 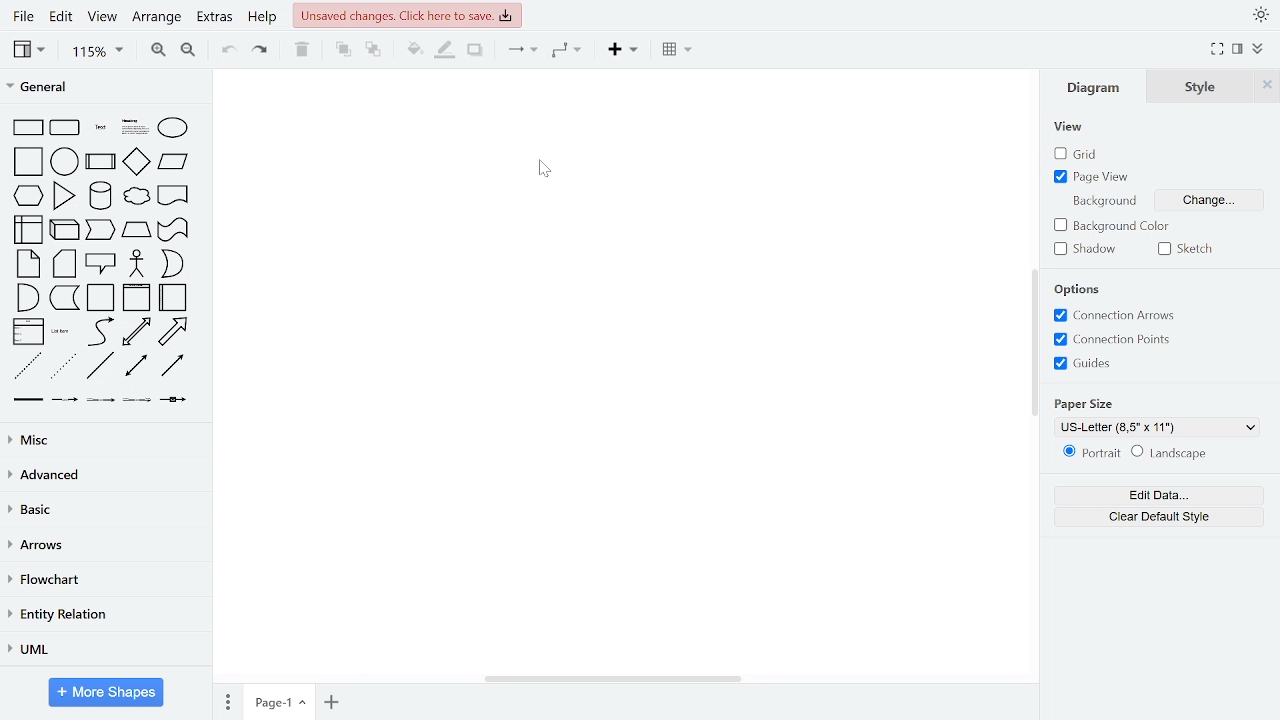 What do you see at coordinates (1110, 225) in the screenshot?
I see `Background color` at bounding box center [1110, 225].